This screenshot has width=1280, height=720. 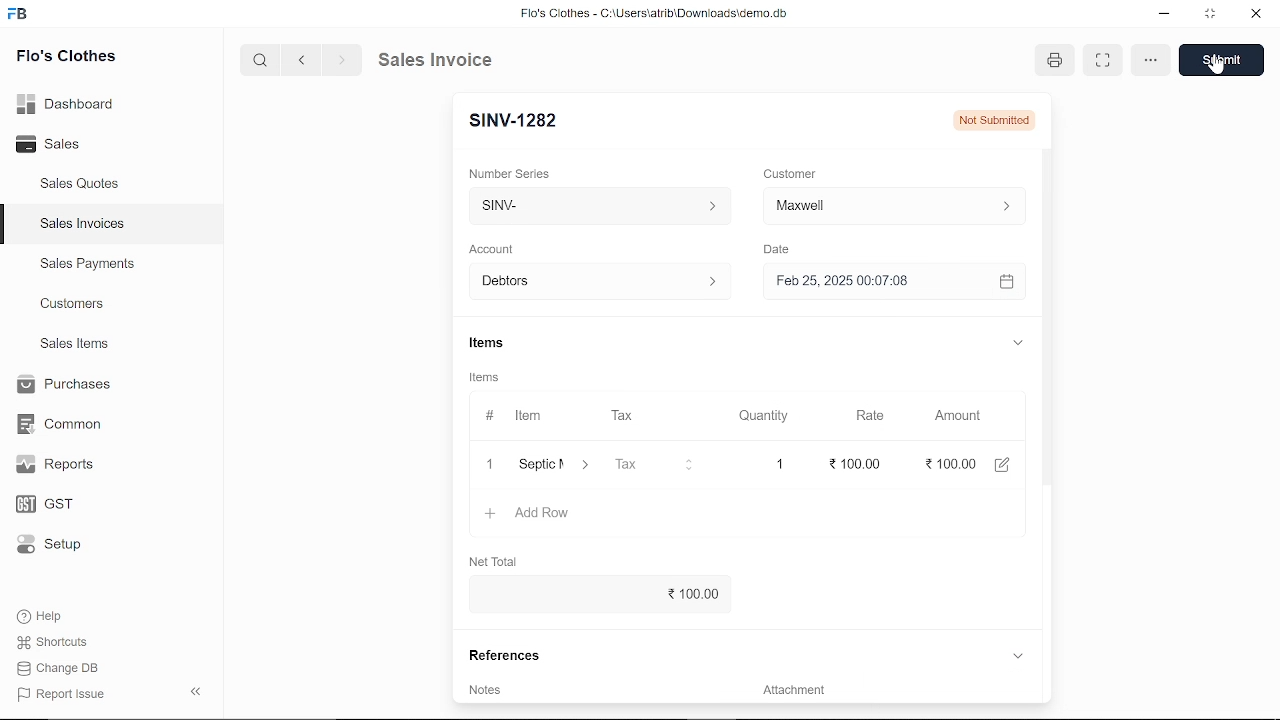 What do you see at coordinates (1057, 59) in the screenshot?
I see `print` at bounding box center [1057, 59].